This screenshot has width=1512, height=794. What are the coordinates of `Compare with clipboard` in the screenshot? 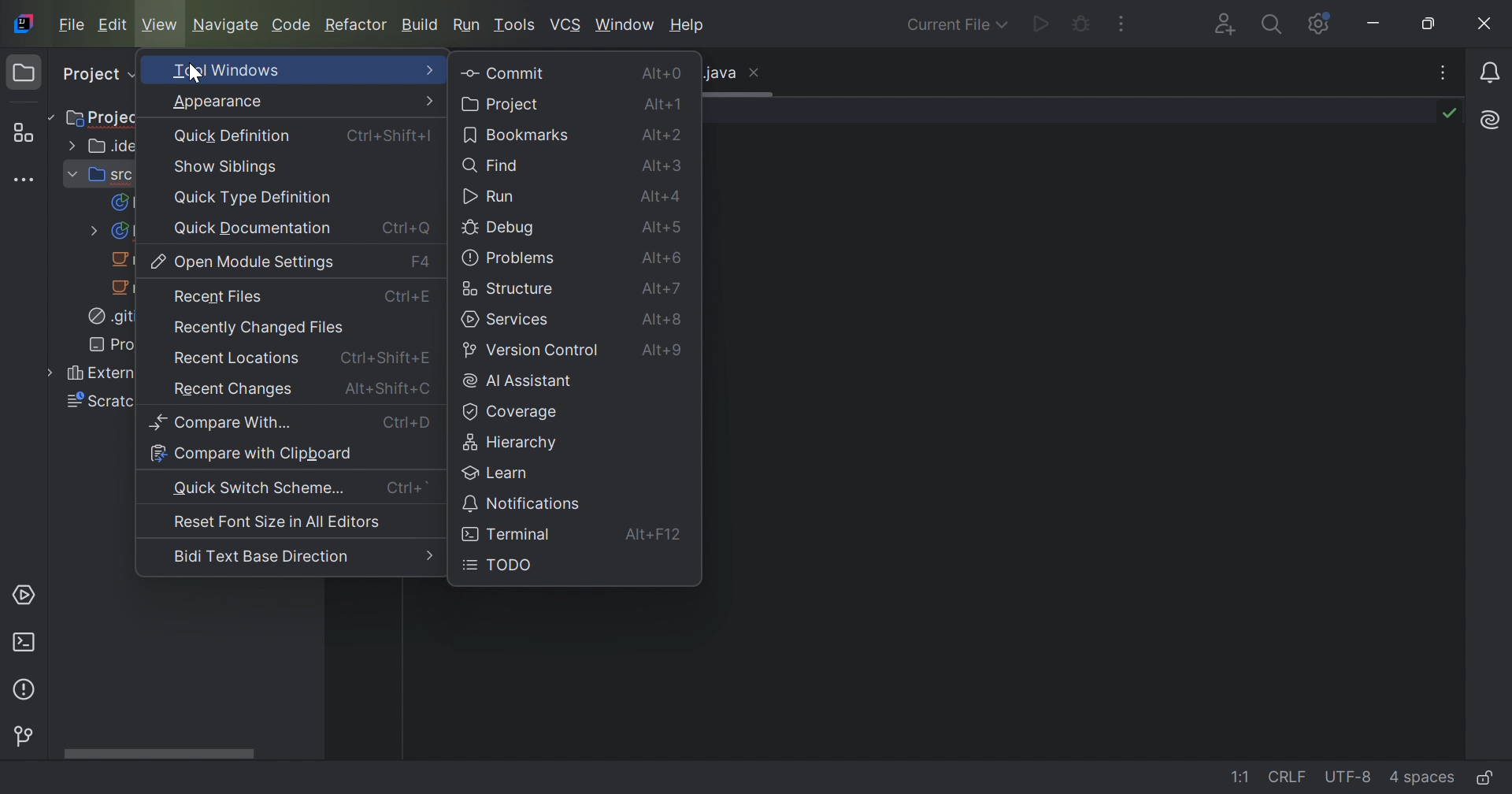 It's located at (250, 454).